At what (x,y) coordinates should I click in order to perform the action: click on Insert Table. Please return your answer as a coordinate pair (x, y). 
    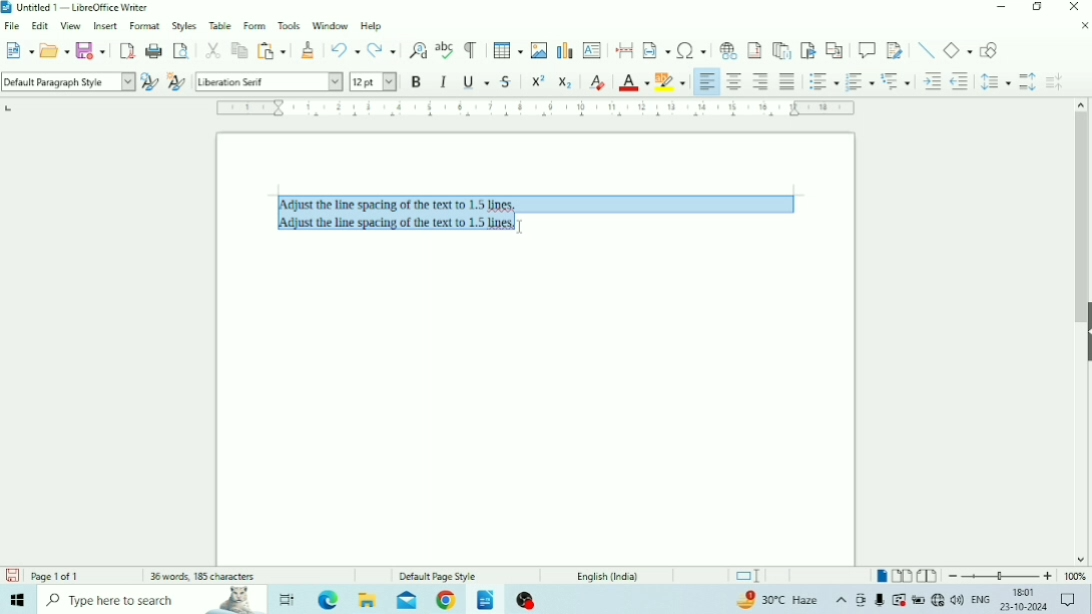
    Looking at the image, I should click on (508, 49).